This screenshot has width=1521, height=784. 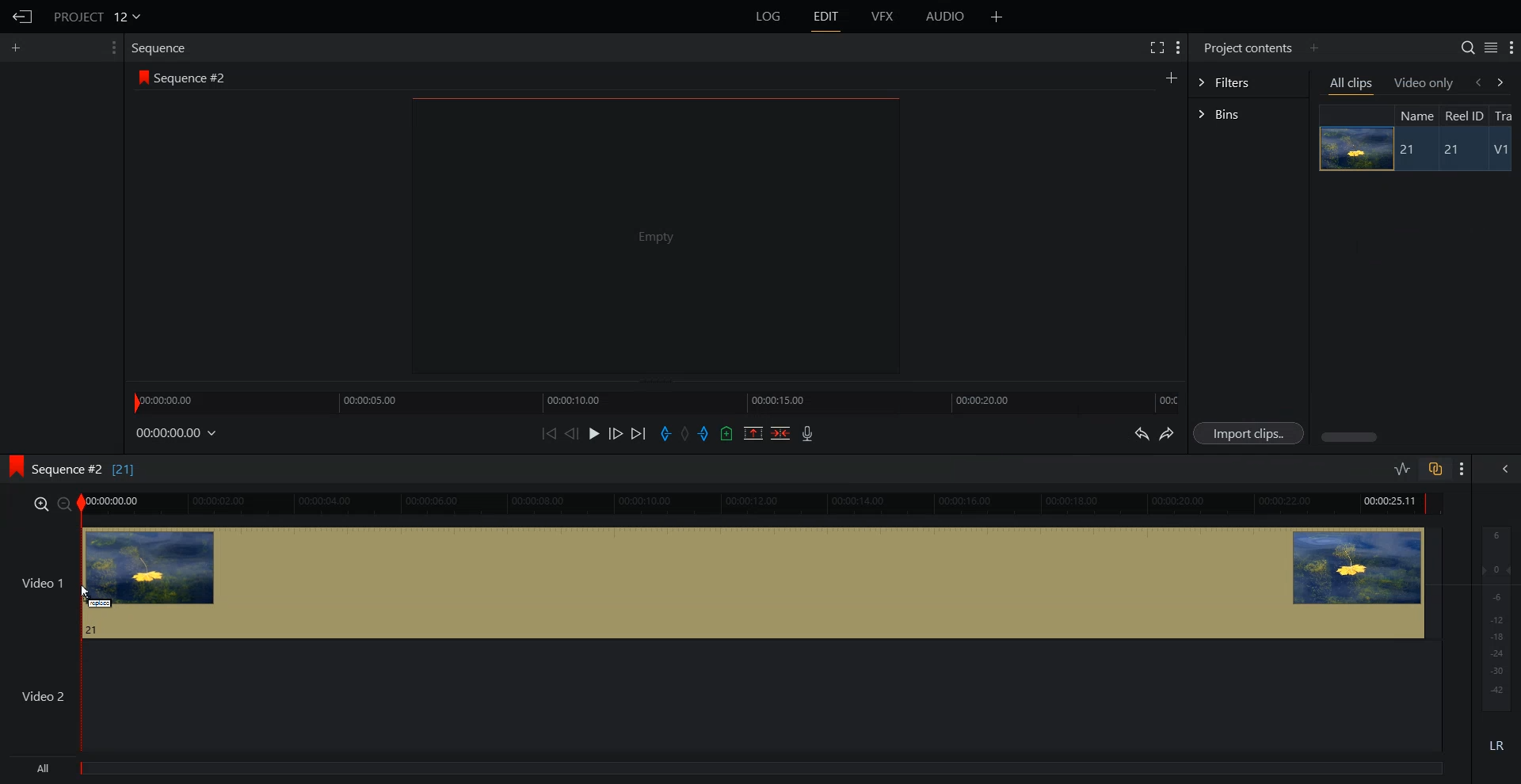 I want to click on Sequence #2, so click(x=193, y=75).